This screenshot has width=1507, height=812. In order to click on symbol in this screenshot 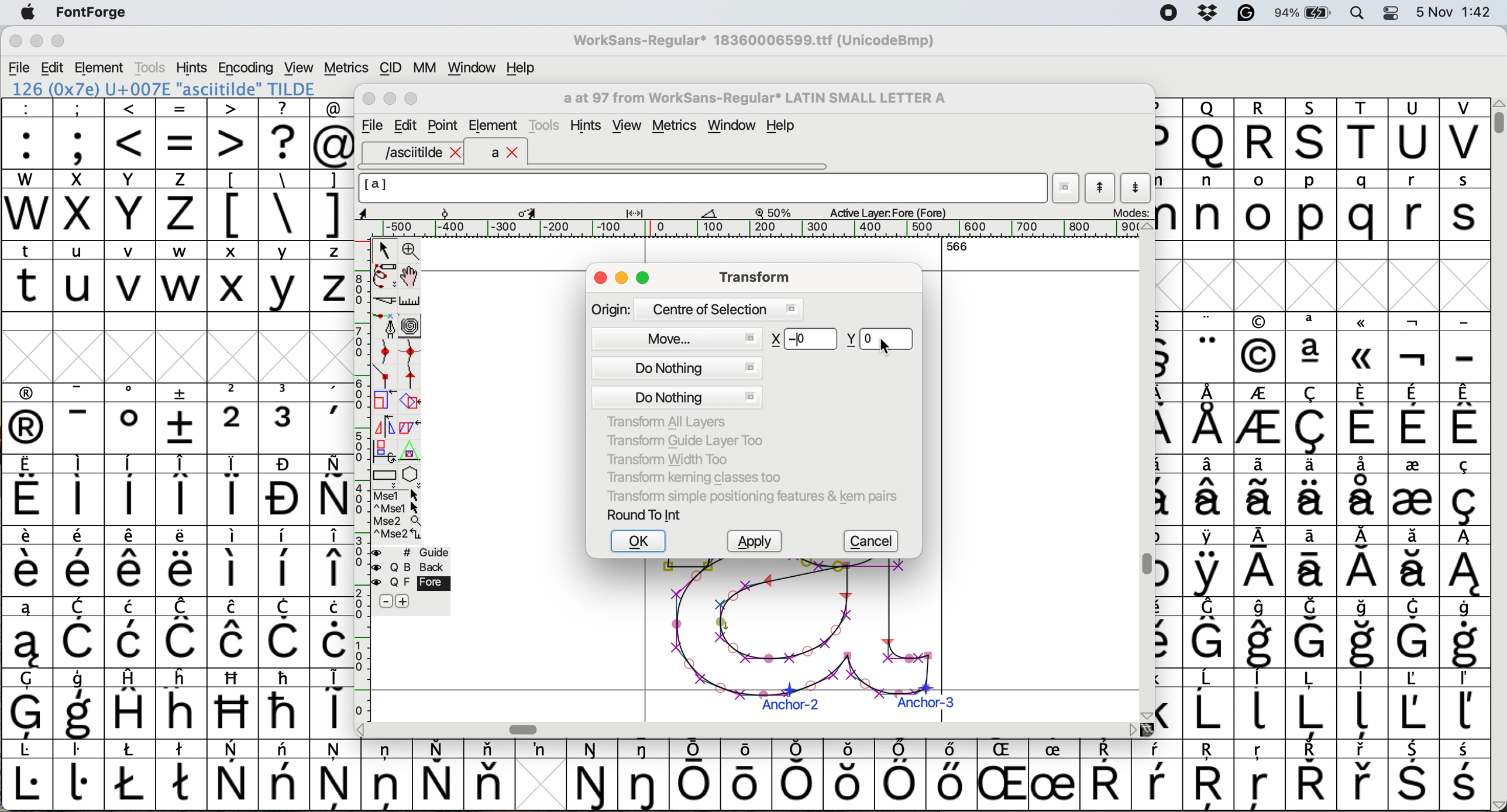, I will do `click(1464, 562)`.